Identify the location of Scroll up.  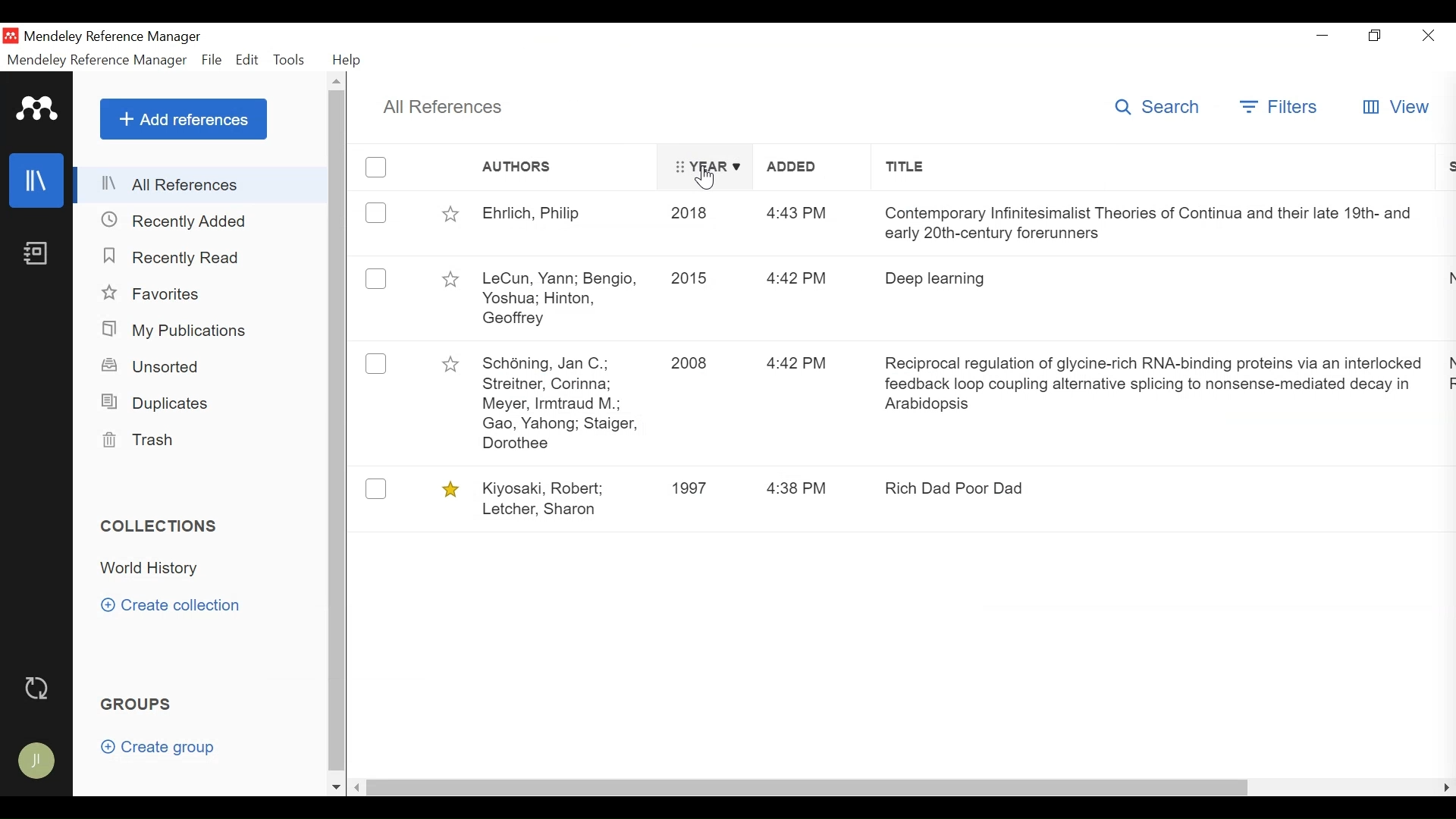
(338, 81).